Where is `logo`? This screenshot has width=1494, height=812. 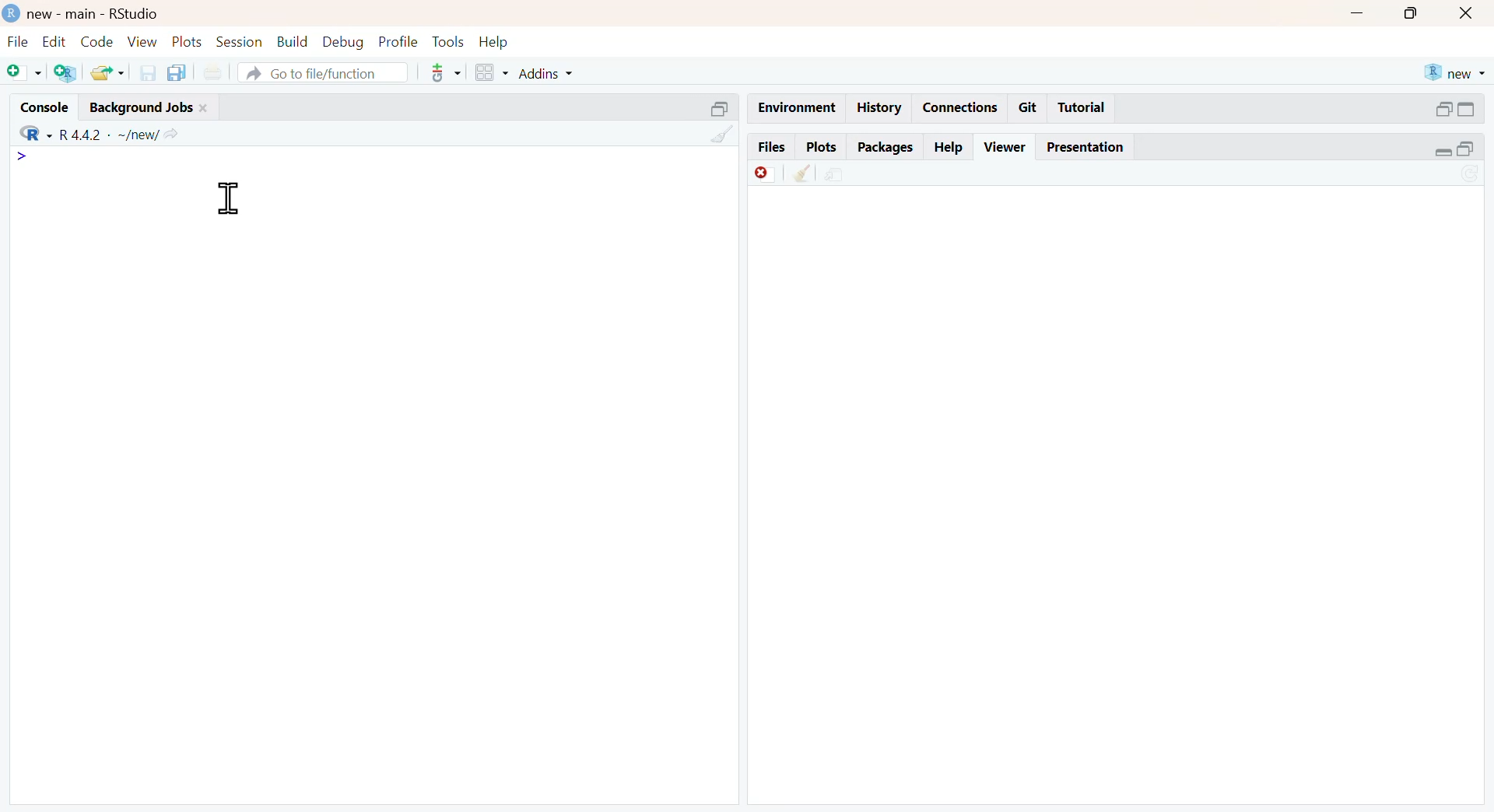 logo is located at coordinates (13, 12).